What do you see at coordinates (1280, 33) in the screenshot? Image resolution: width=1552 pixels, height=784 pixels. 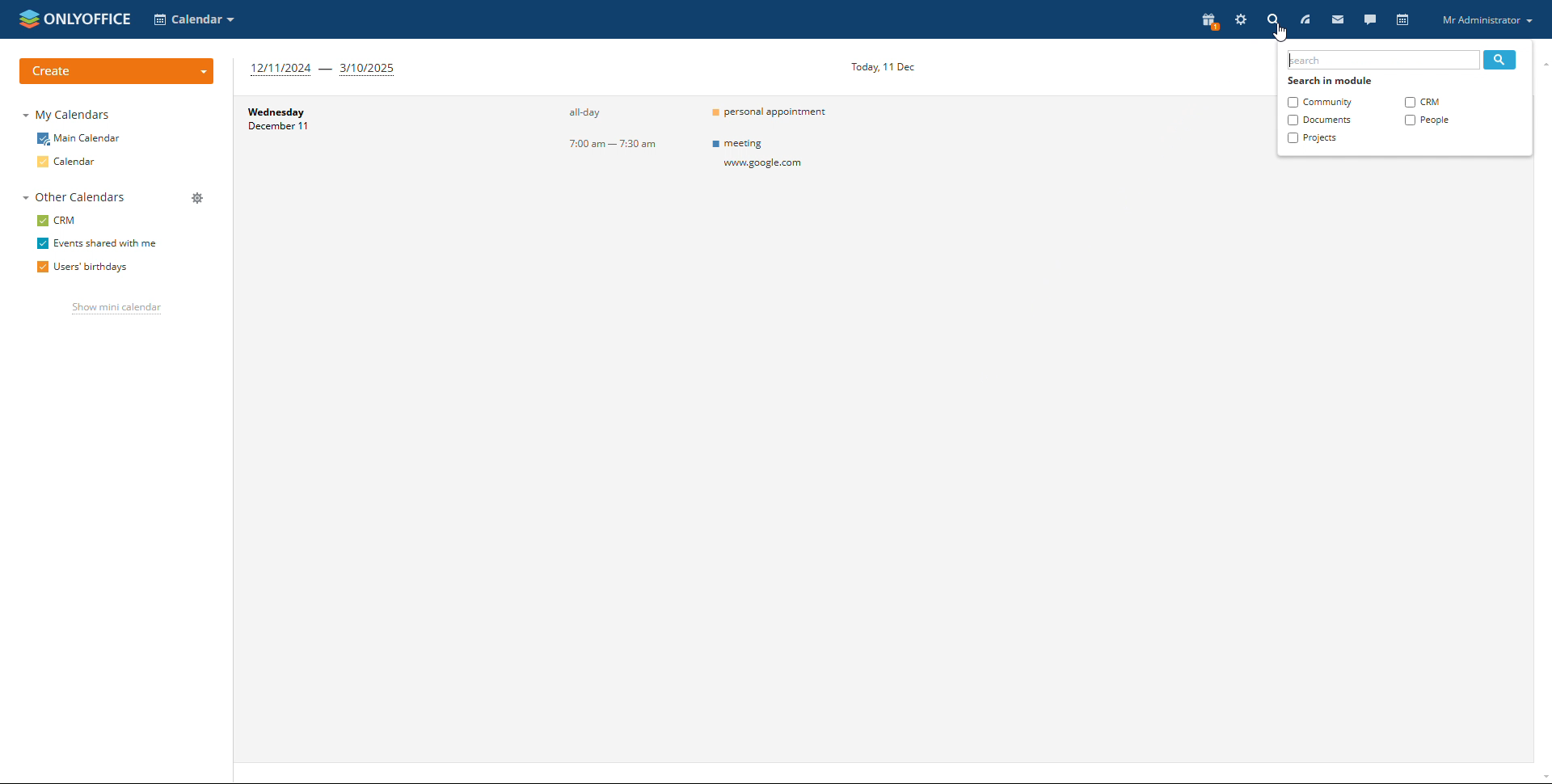 I see `cursor` at bounding box center [1280, 33].